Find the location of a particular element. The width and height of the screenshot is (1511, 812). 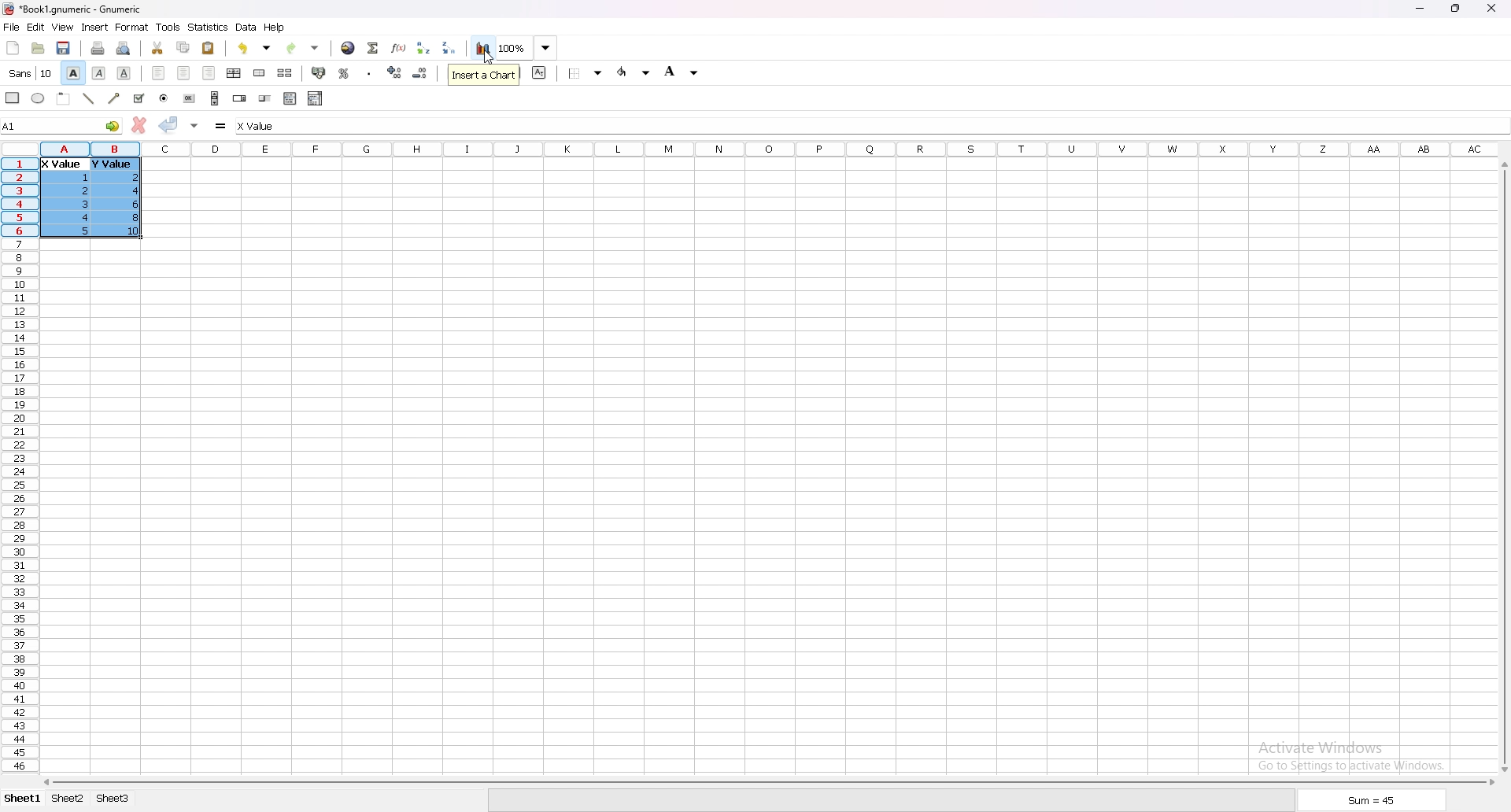

new is located at coordinates (13, 47).